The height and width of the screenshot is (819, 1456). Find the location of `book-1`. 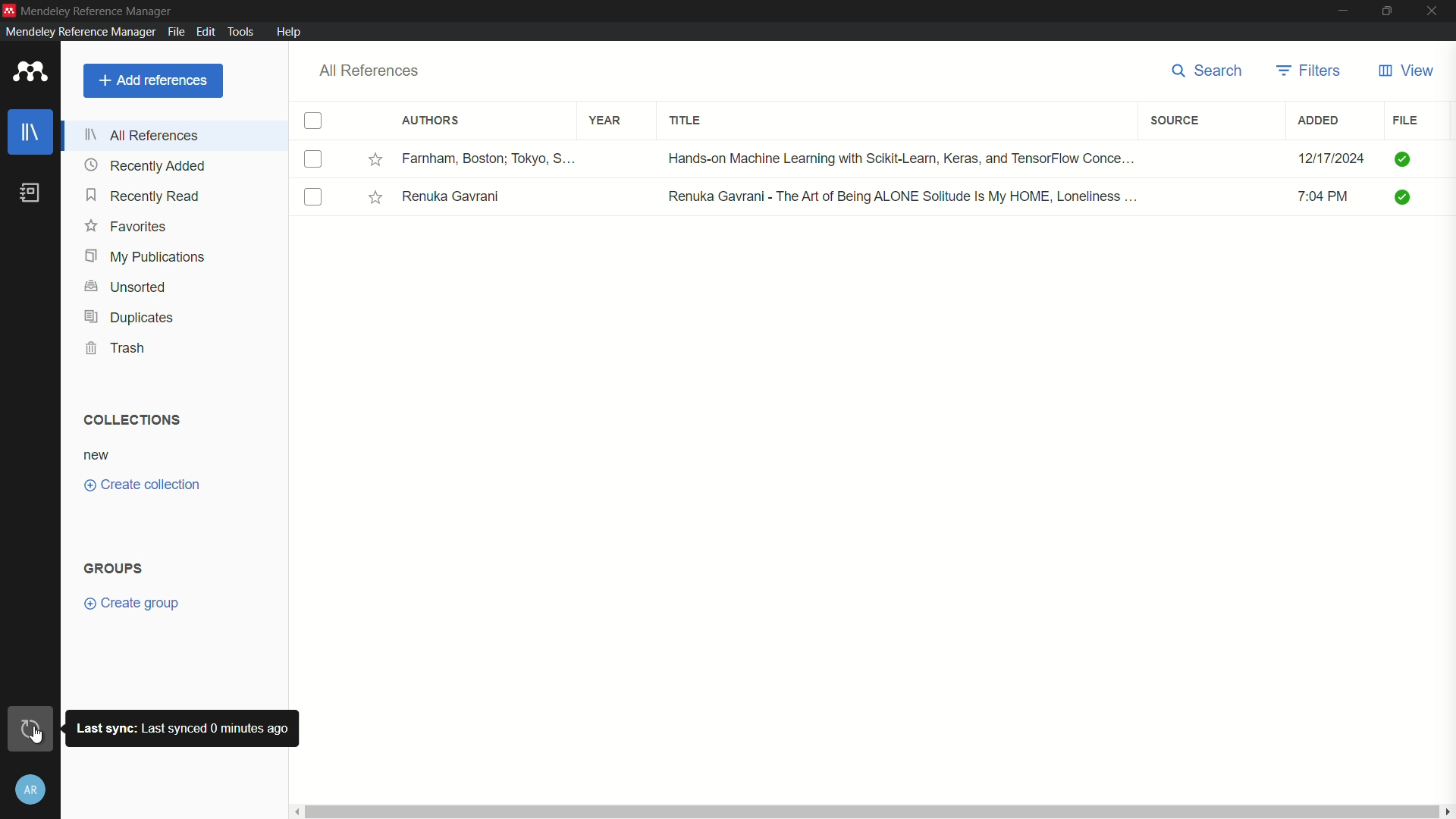

book-1 is located at coordinates (312, 160).